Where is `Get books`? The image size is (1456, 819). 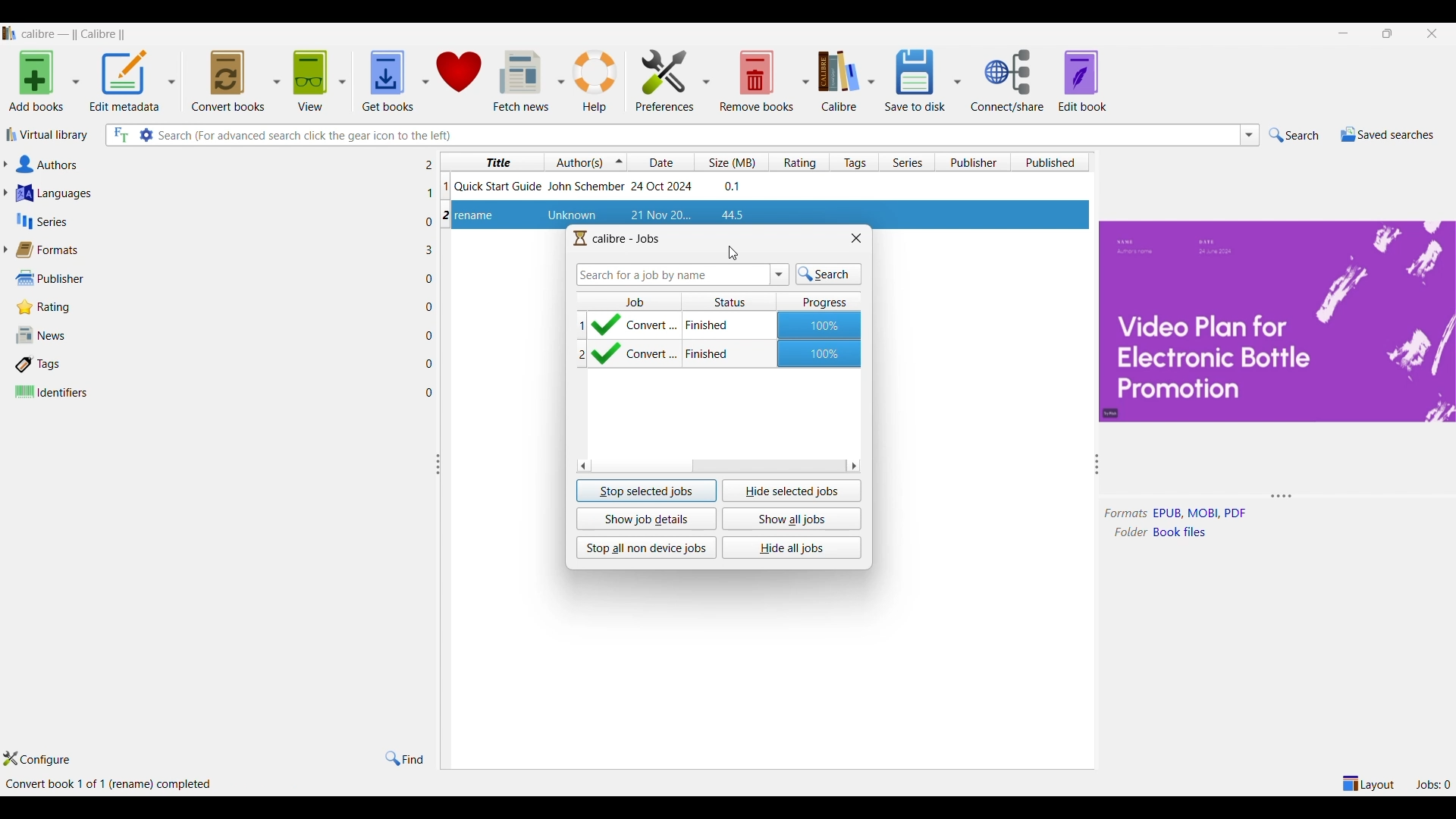
Get books is located at coordinates (388, 81).